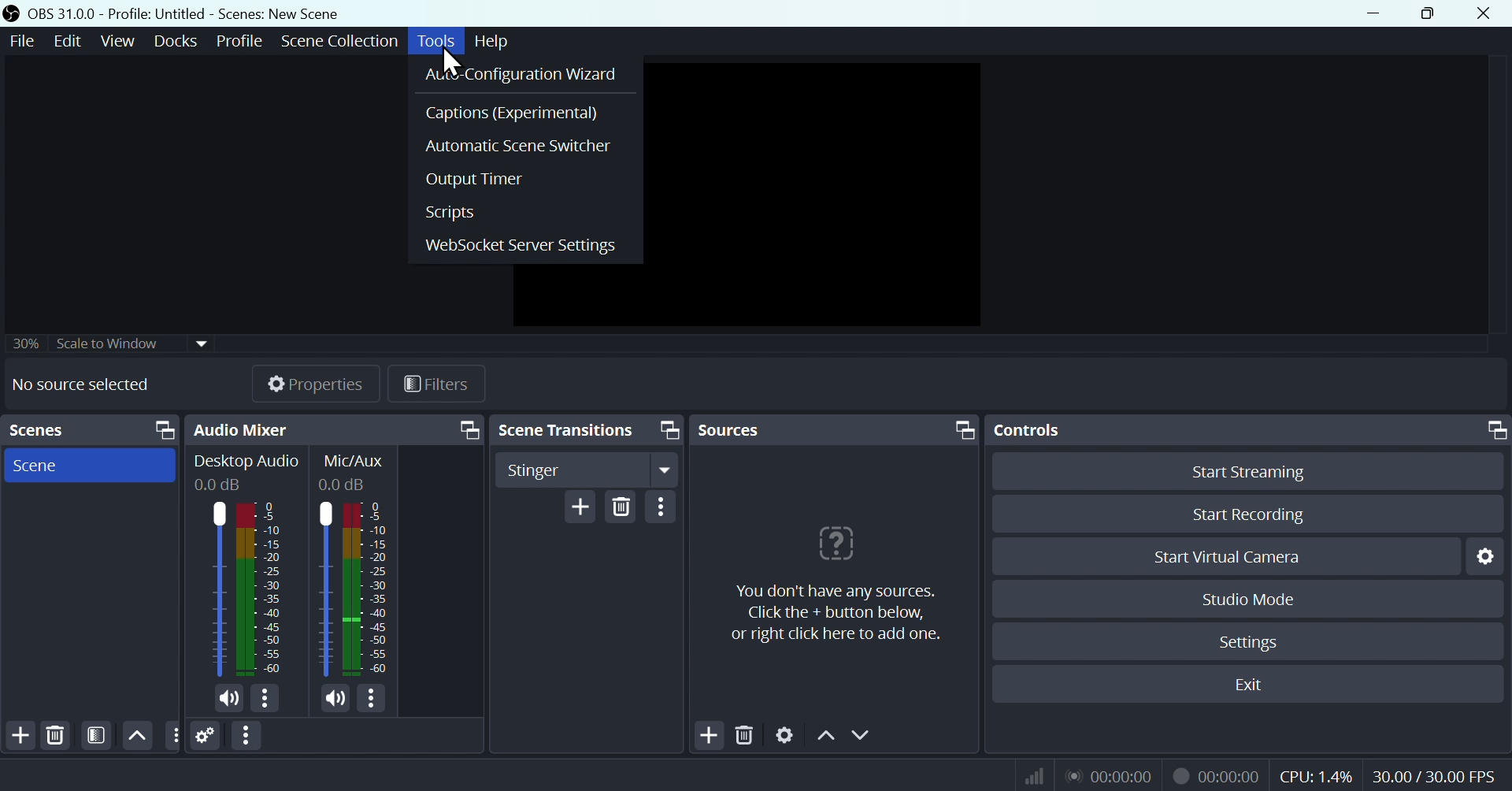  What do you see at coordinates (137, 735) in the screenshot?
I see `Up` at bounding box center [137, 735].